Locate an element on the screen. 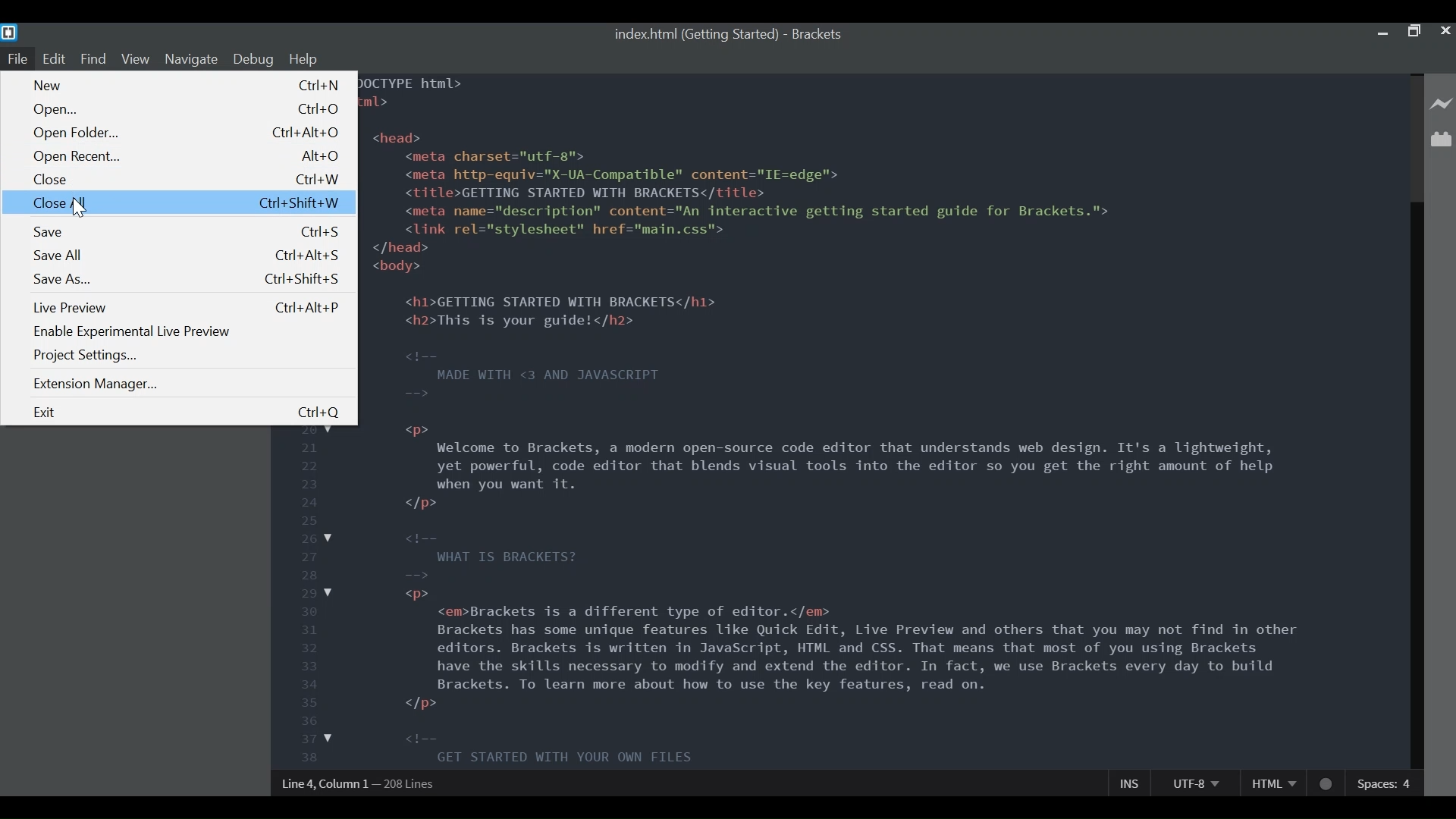 This screenshot has height=819, width=1456. File Encoding is located at coordinates (1194, 783).